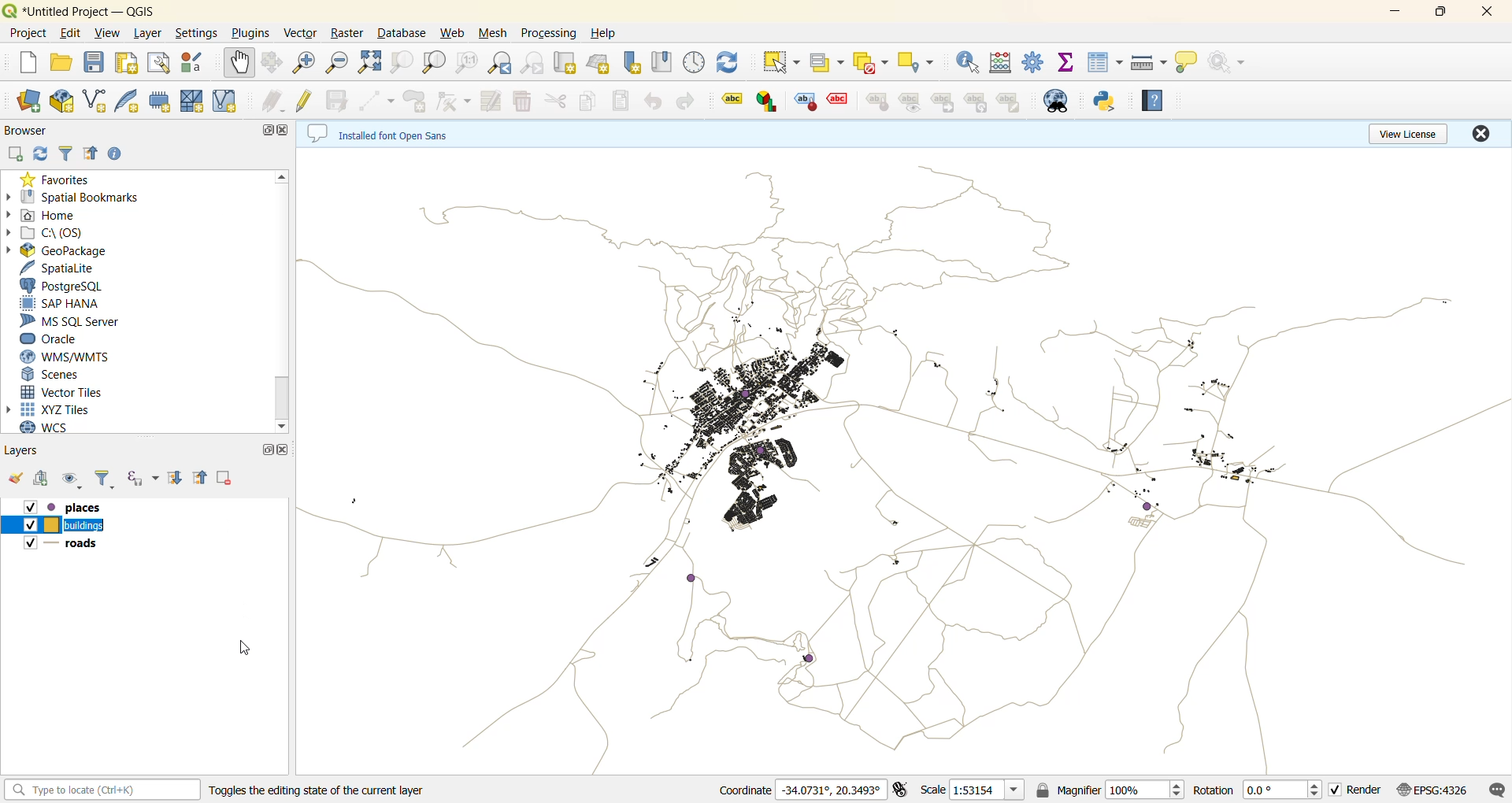  What do you see at coordinates (525, 101) in the screenshot?
I see `delete` at bounding box center [525, 101].